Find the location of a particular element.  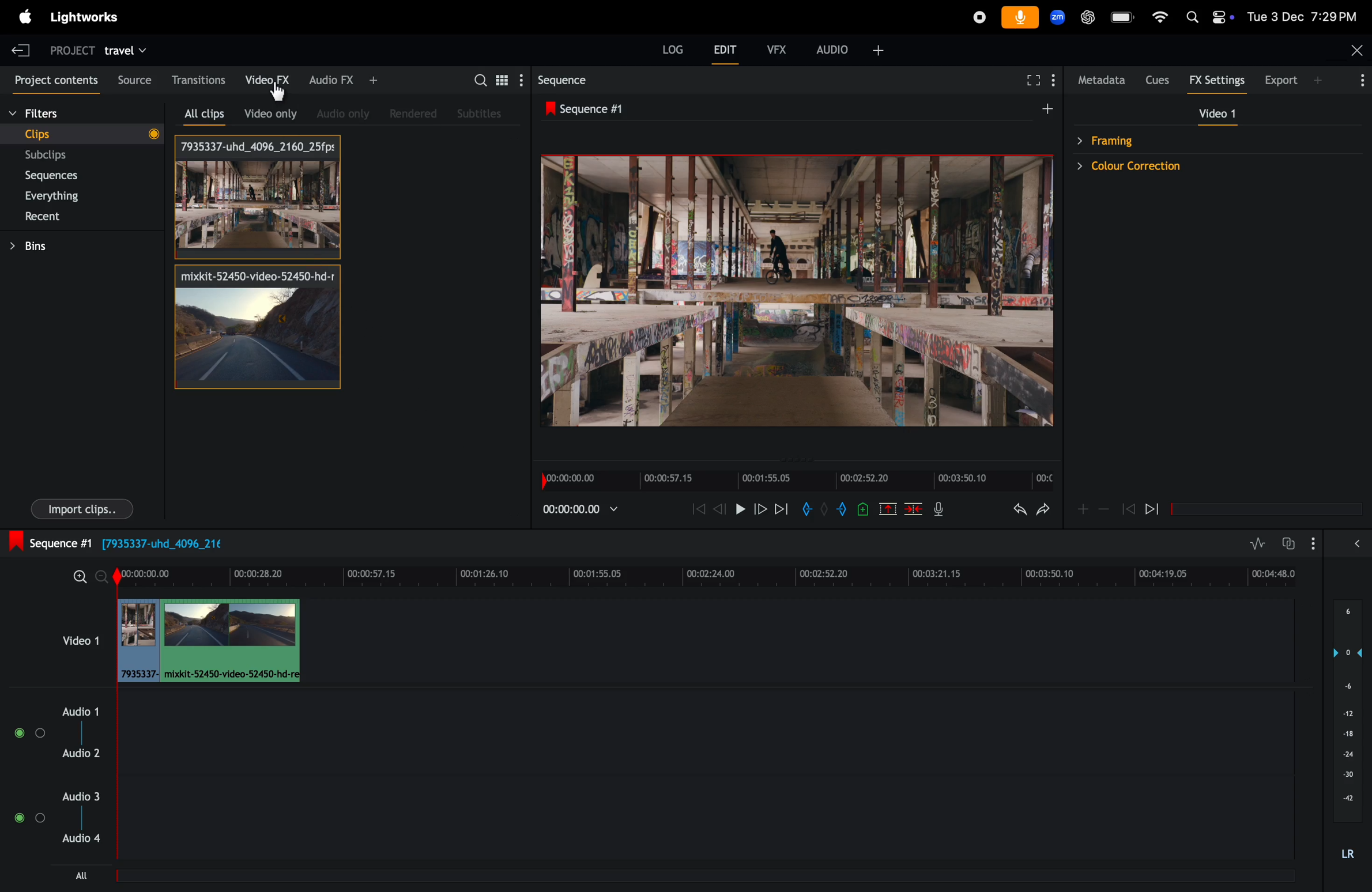

record is located at coordinates (976, 16).